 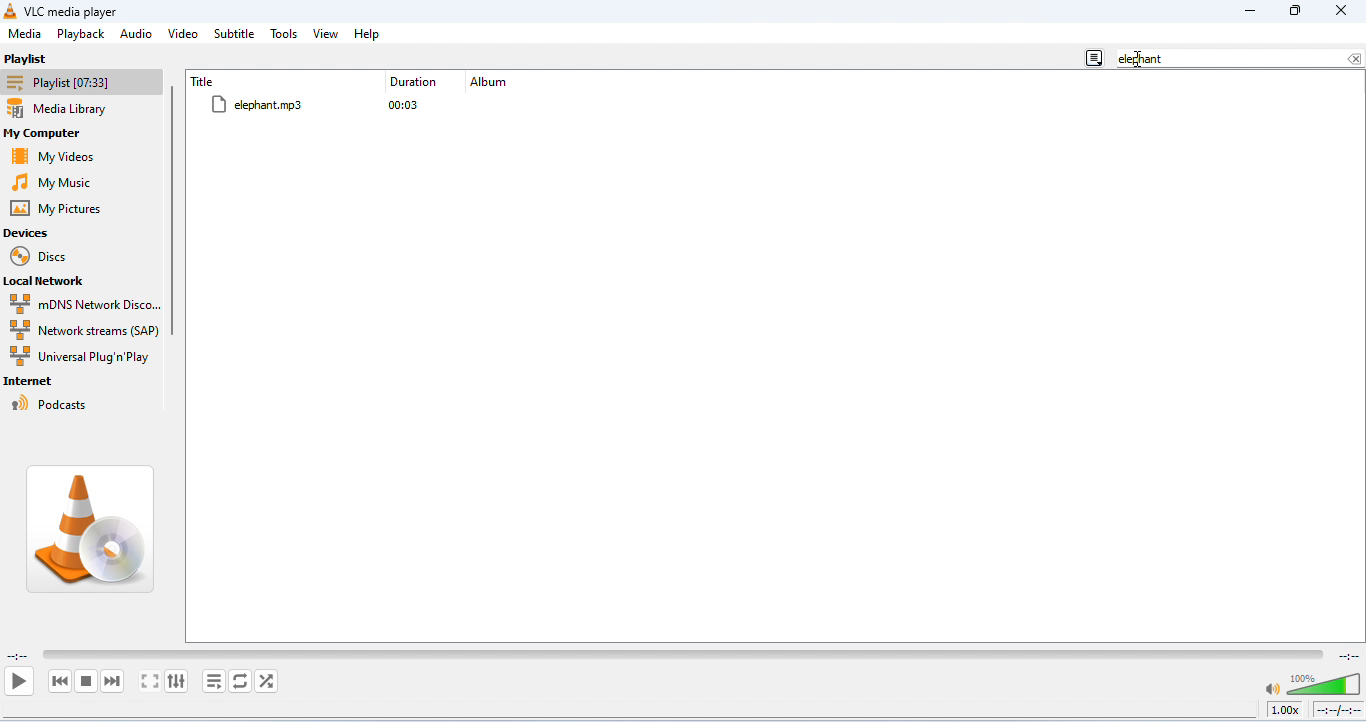 What do you see at coordinates (416, 83) in the screenshot?
I see `` at bounding box center [416, 83].